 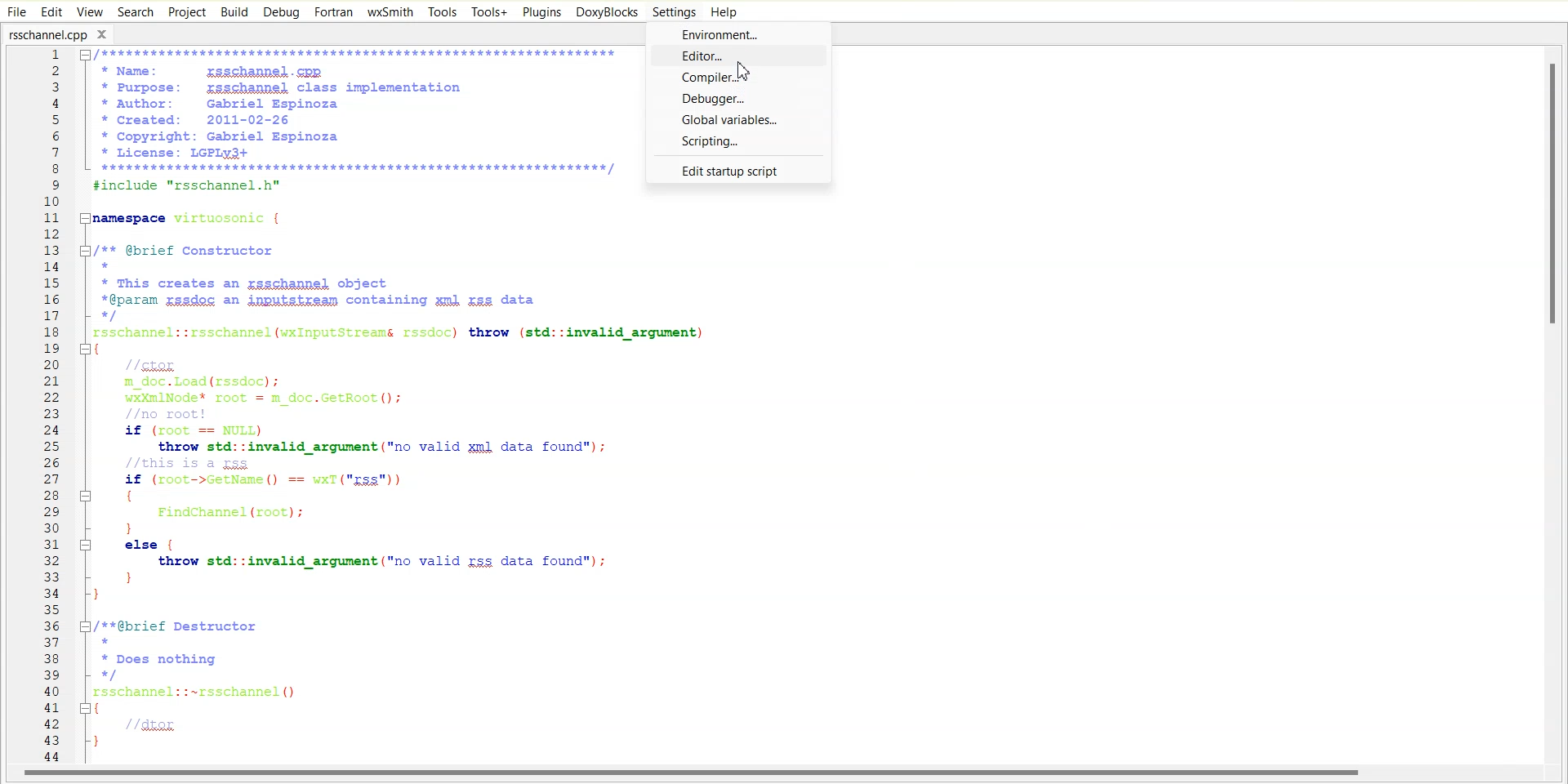 I want to click on wxSmith, so click(x=390, y=12).